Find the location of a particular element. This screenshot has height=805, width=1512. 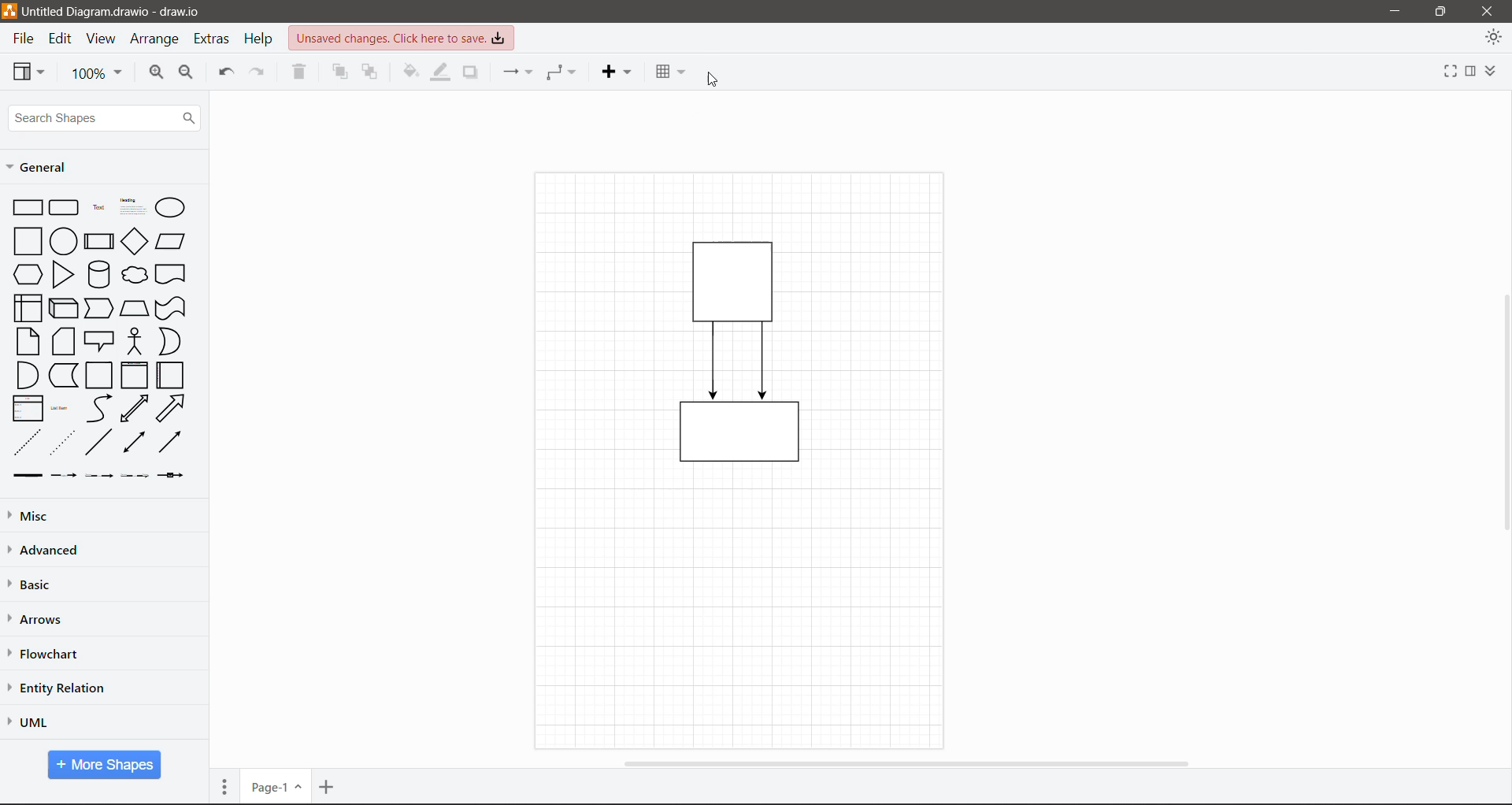

Format is located at coordinates (1470, 72).